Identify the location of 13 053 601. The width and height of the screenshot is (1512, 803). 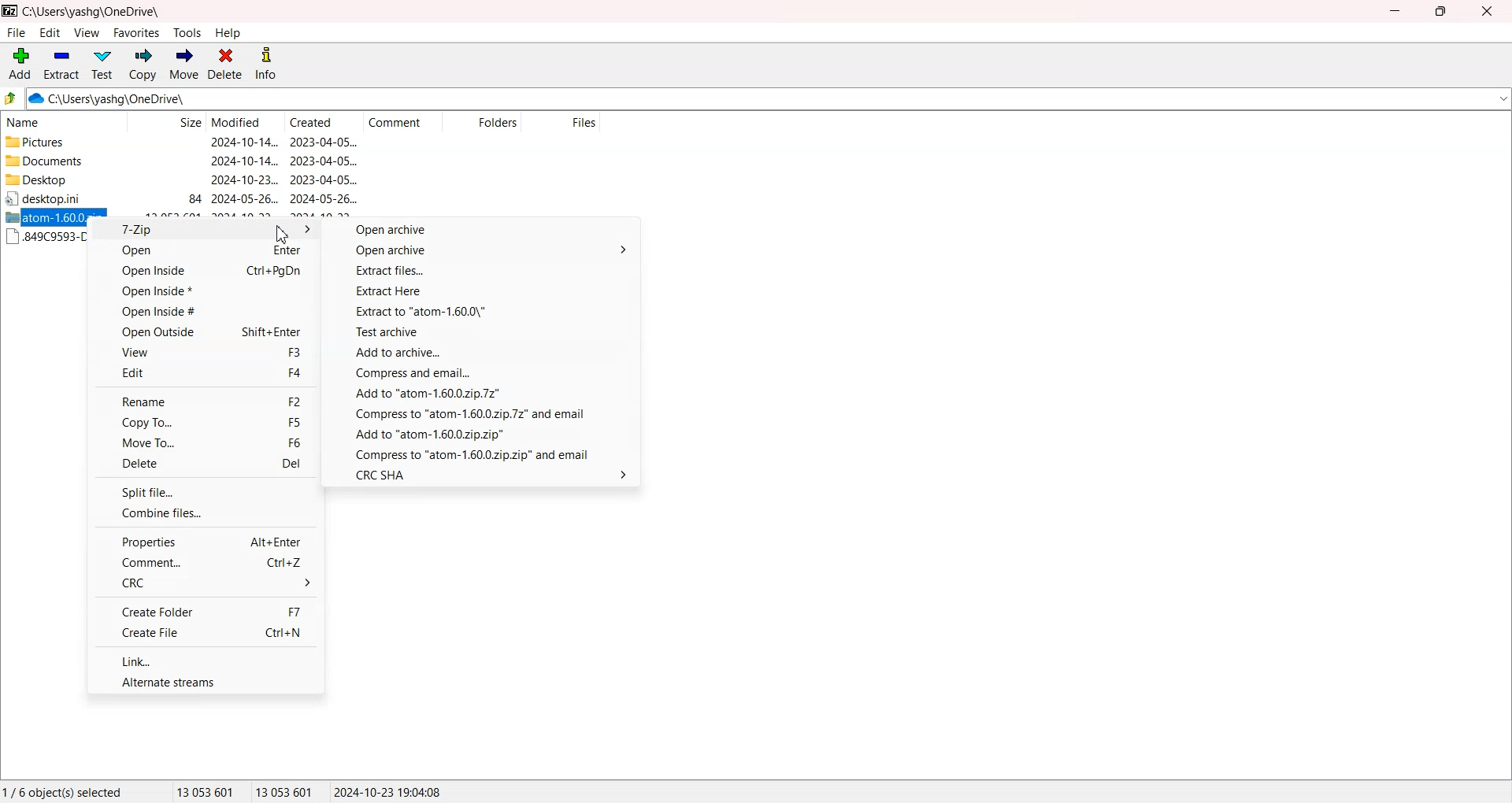
(285, 791).